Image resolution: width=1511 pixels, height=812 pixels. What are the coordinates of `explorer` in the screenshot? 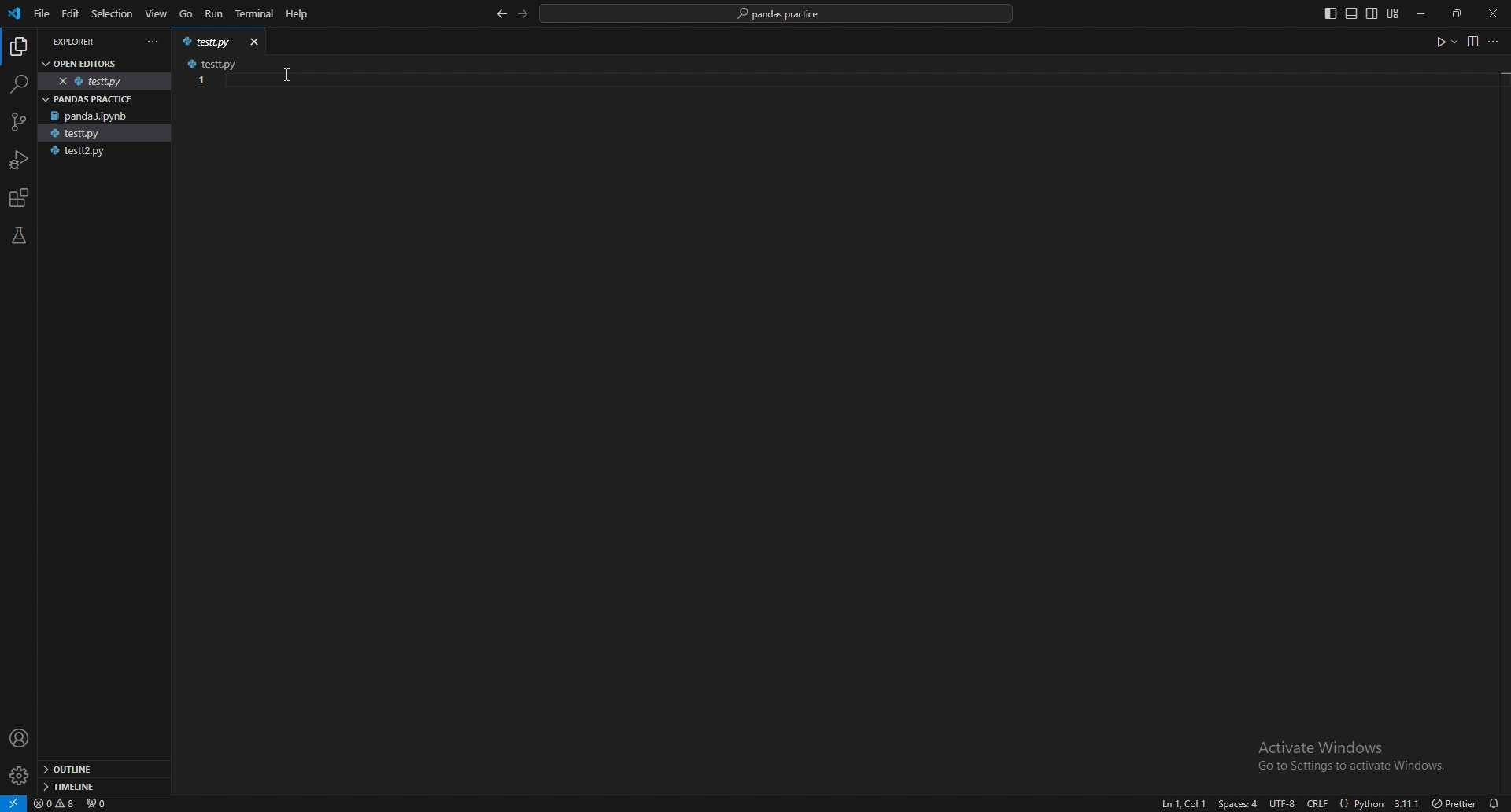 It's located at (91, 40).